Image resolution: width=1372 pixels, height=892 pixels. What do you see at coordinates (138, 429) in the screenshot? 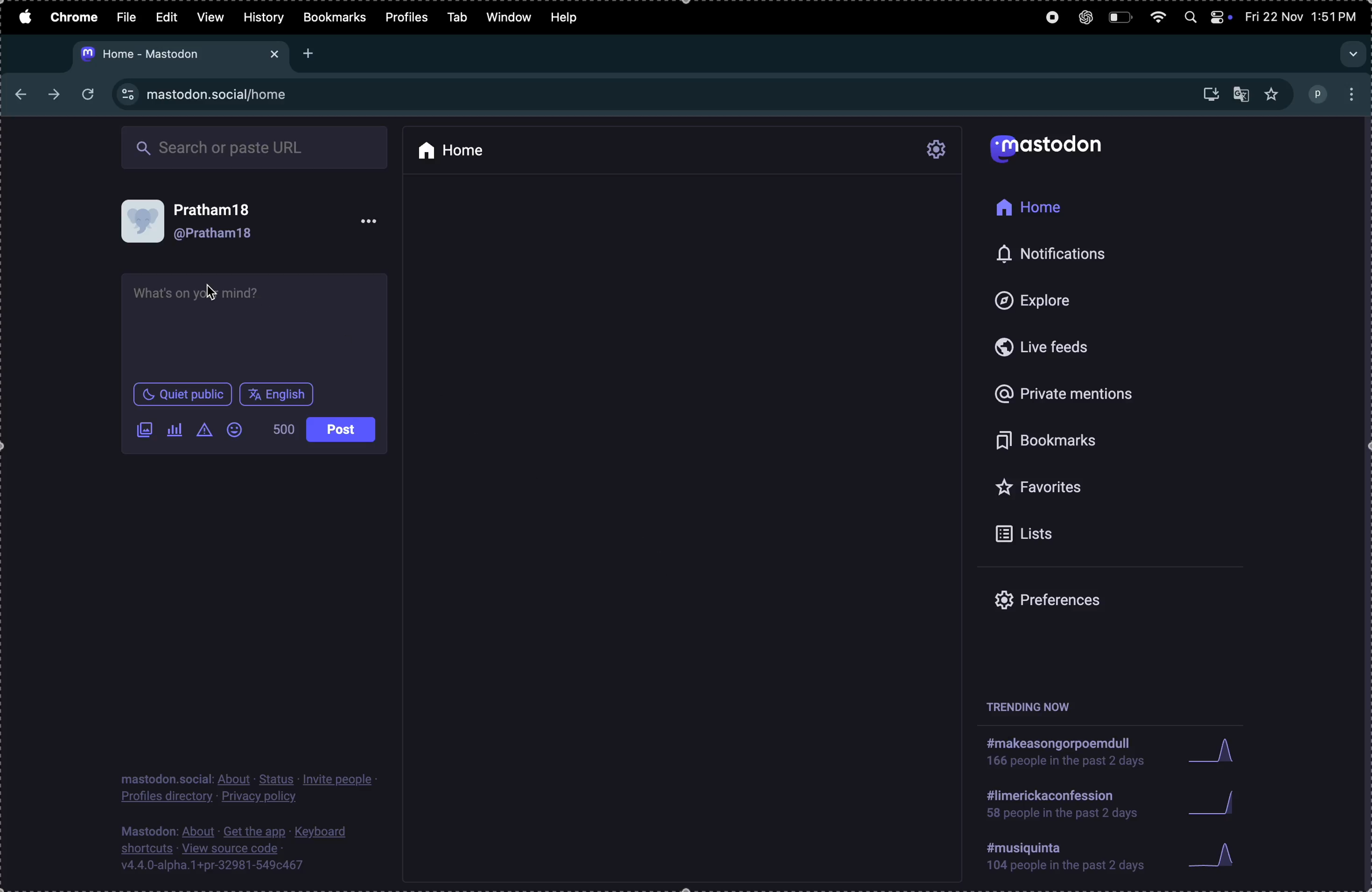
I see `add image` at bounding box center [138, 429].